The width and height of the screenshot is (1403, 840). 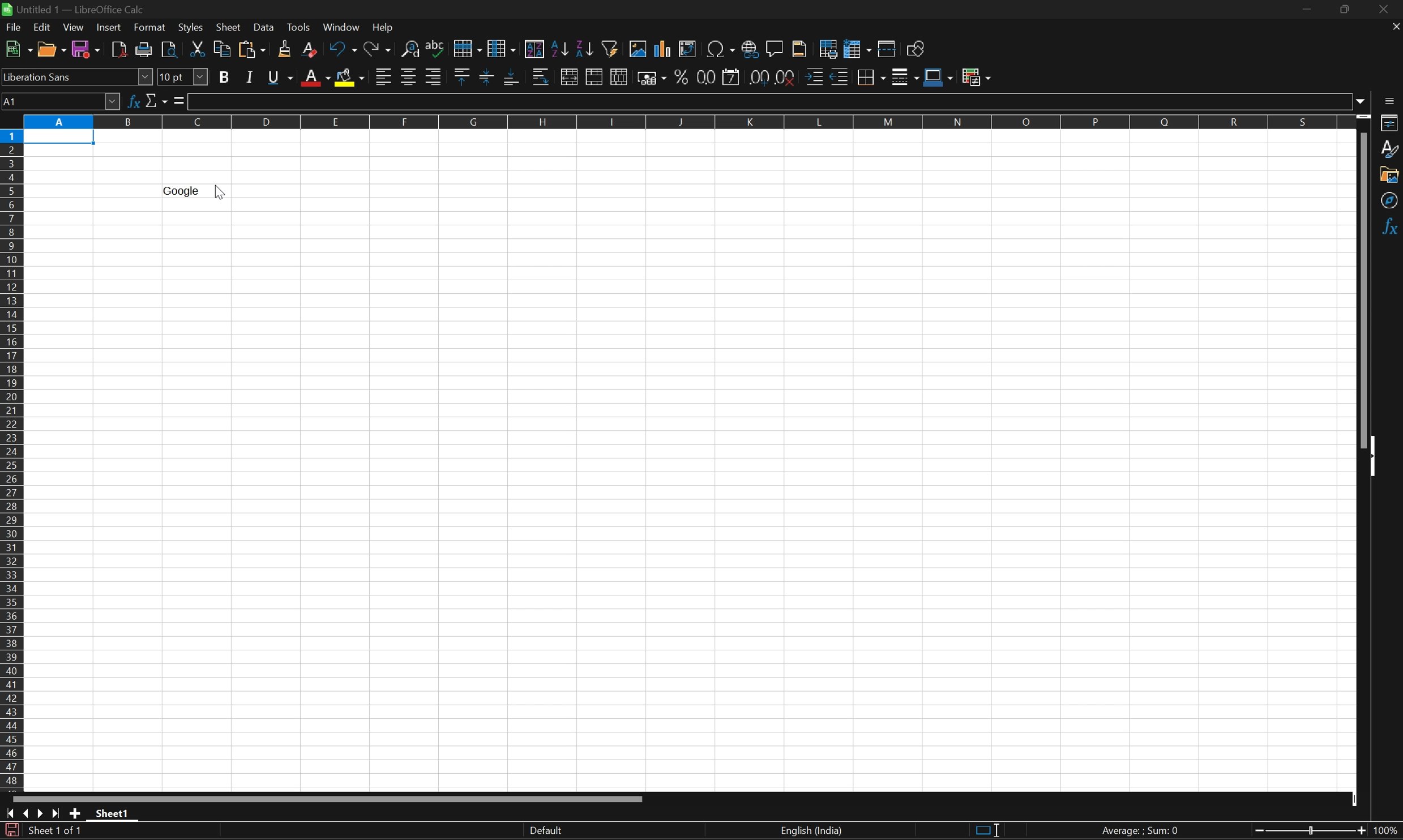 I want to click on Align bottom, so click(x=512, y=76).